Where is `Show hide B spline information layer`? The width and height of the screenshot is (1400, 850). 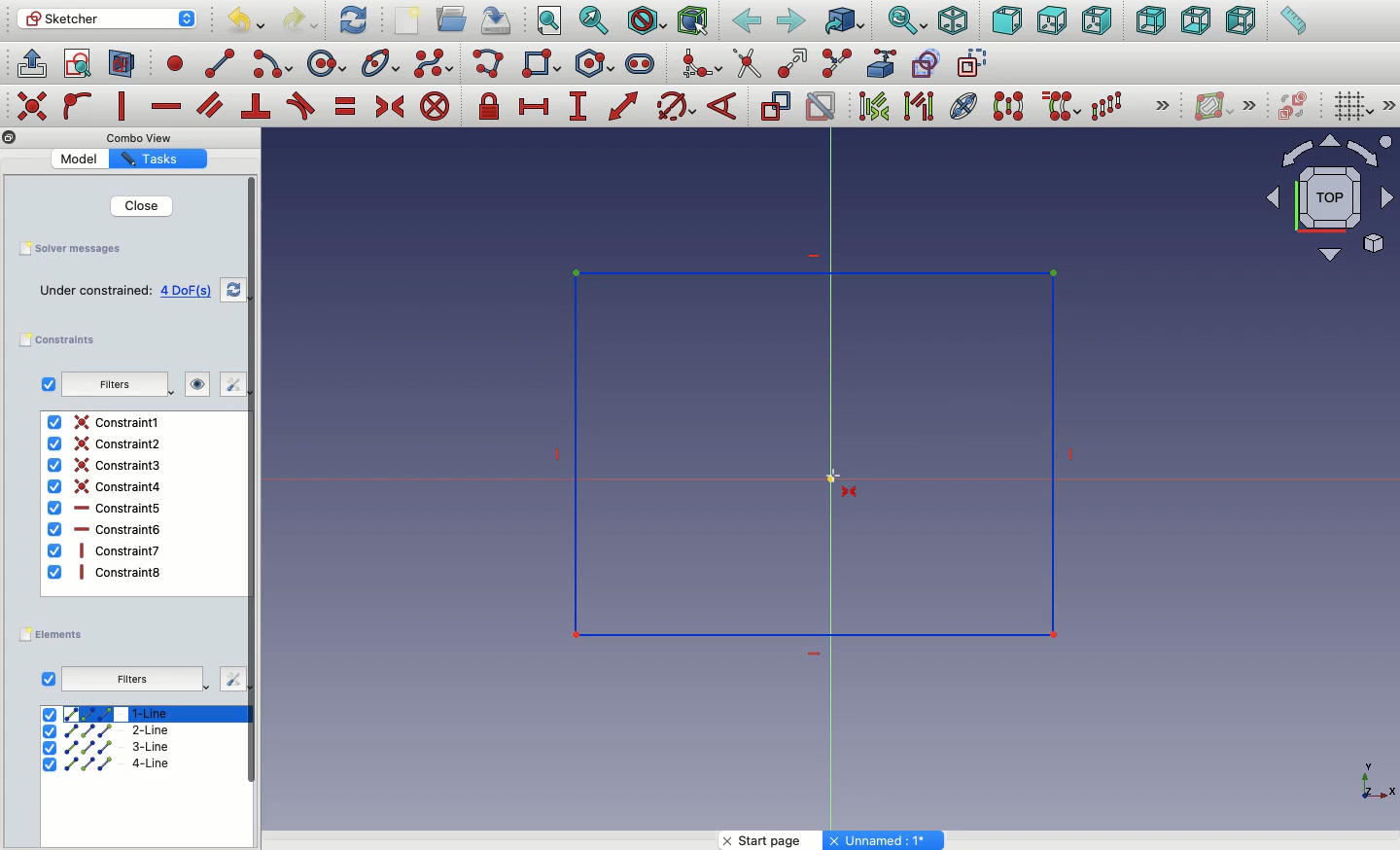 Show hide B spline information layer is located at coordinates (1215, 106).